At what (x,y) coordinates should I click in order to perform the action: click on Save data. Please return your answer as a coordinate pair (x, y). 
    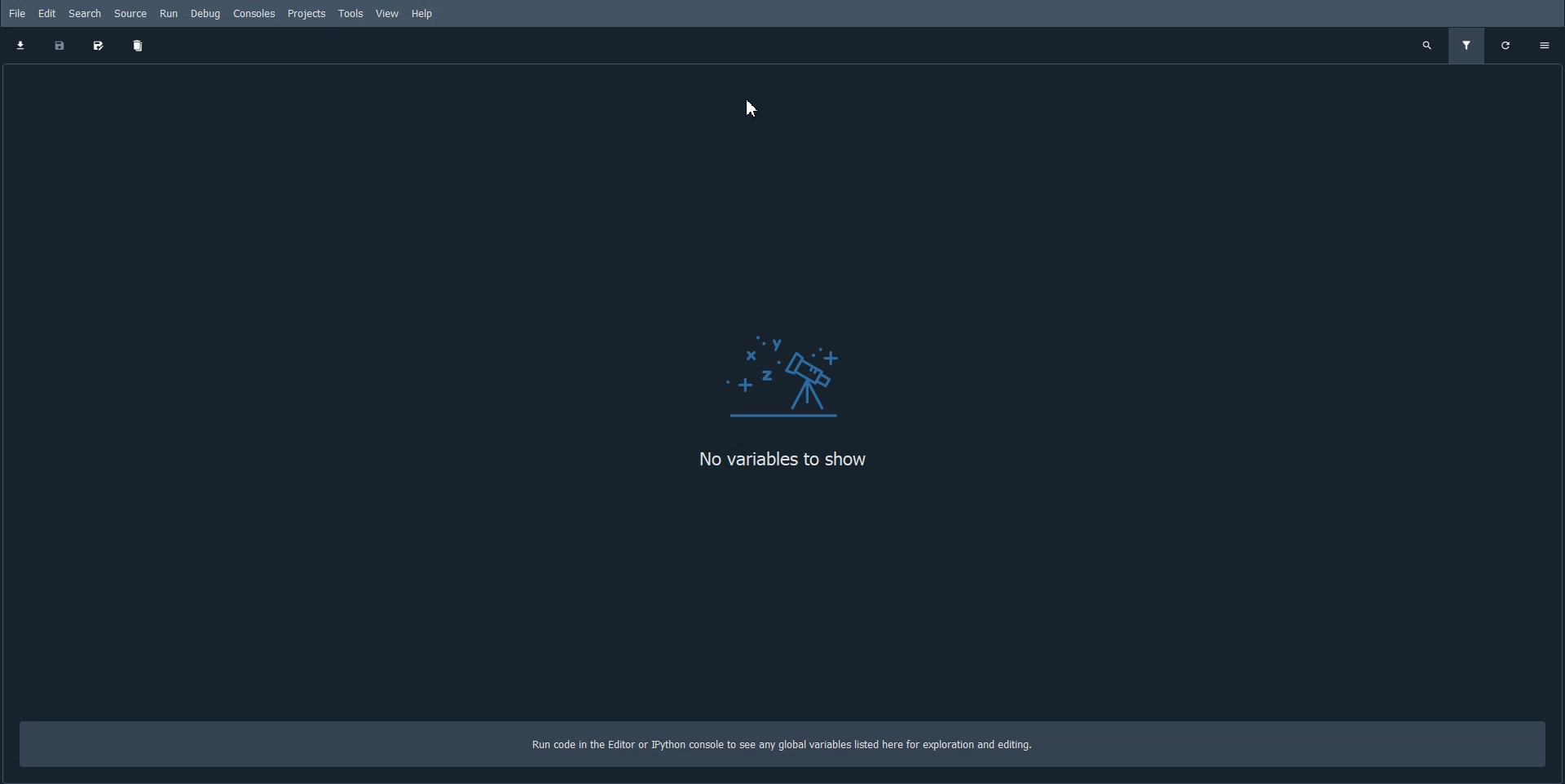
    Looking at the image, I should click on (58, 46).